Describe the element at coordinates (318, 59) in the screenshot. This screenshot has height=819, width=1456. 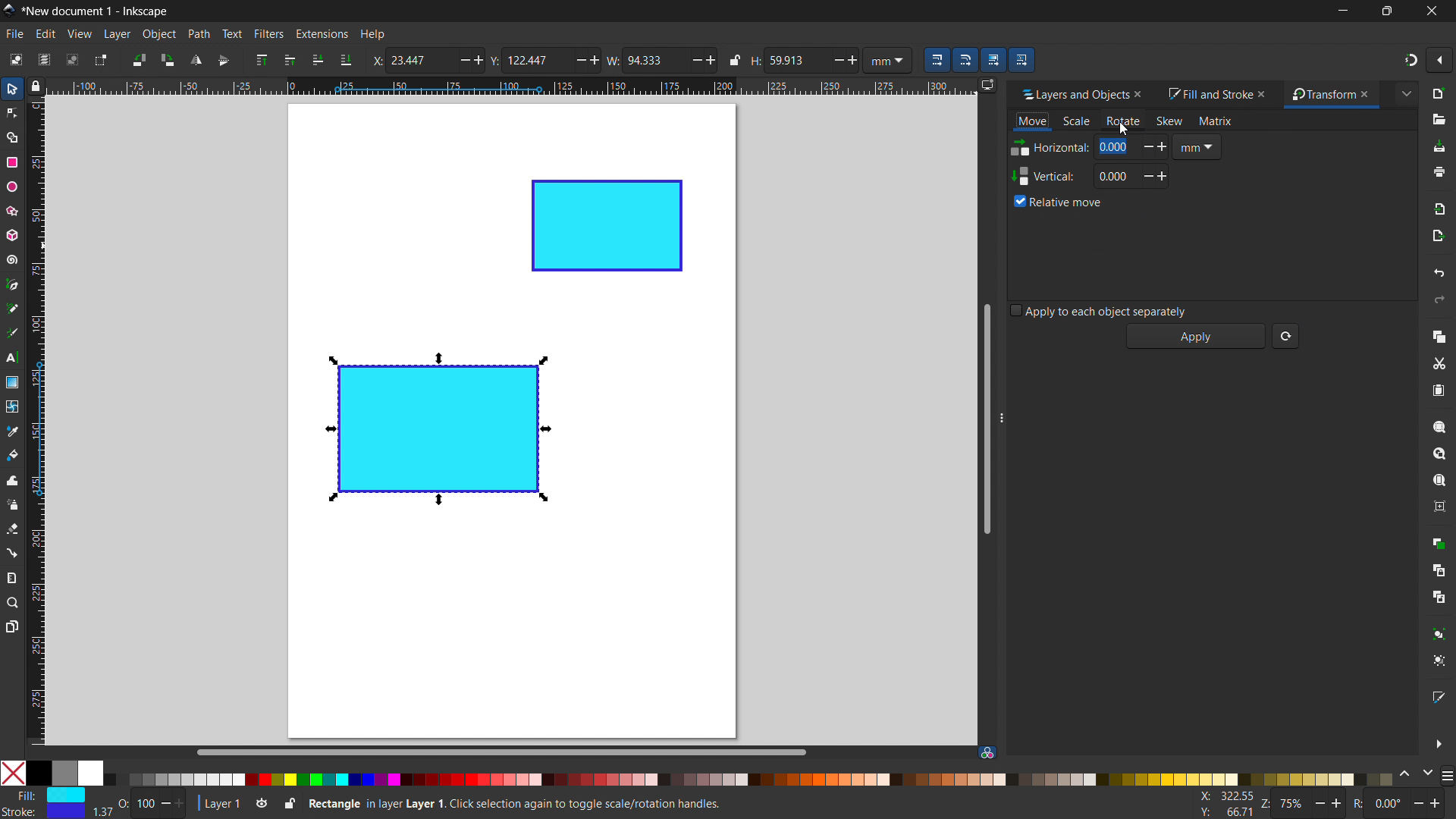
I see `lower` at that location.